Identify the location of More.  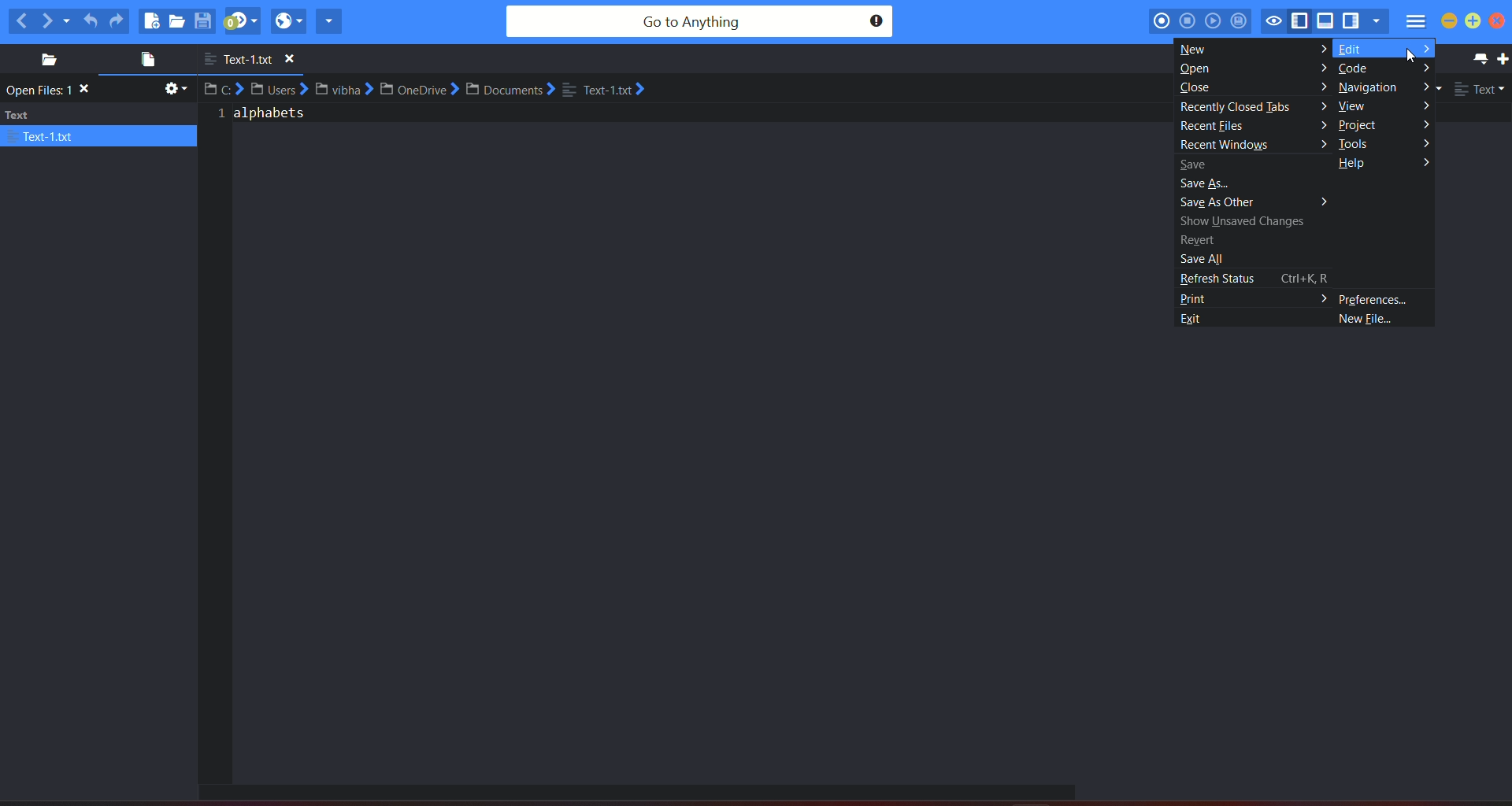
(1318, 48).